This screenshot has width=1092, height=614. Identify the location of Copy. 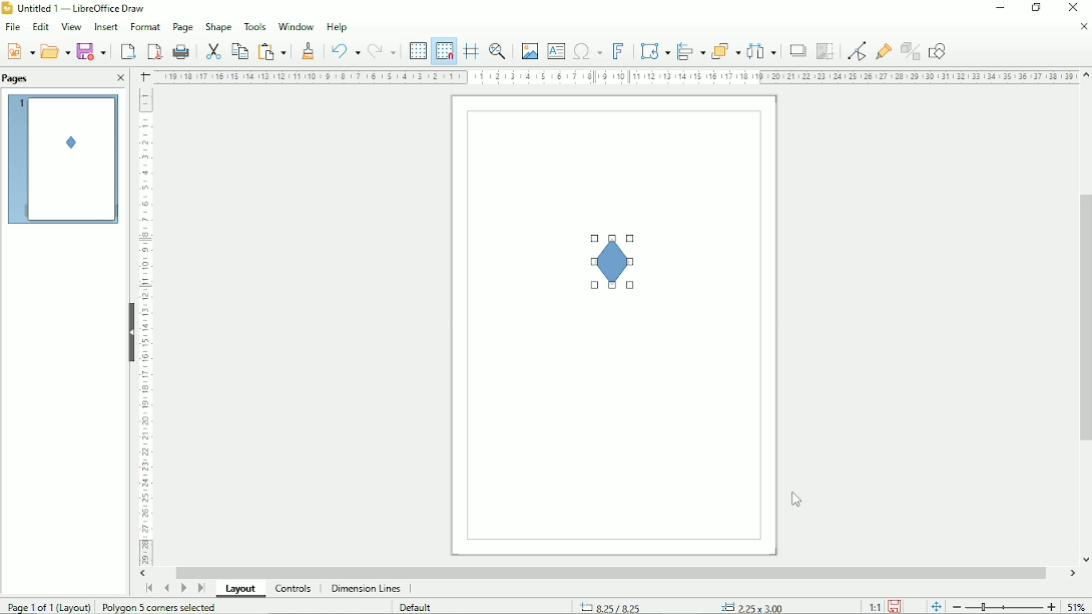
(239, 50).